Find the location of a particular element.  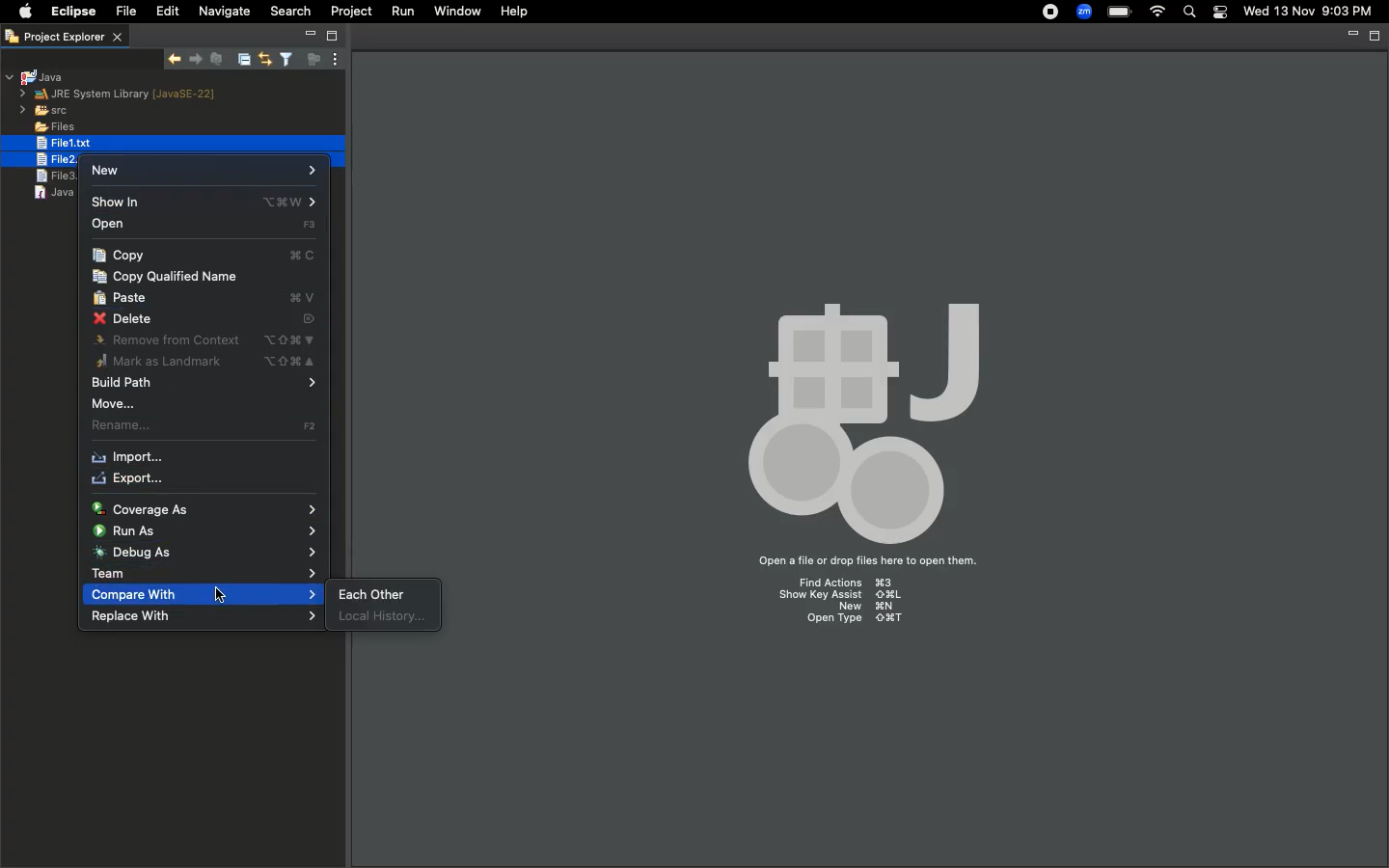

Remove selected matches is located at coordinates (216, 58).